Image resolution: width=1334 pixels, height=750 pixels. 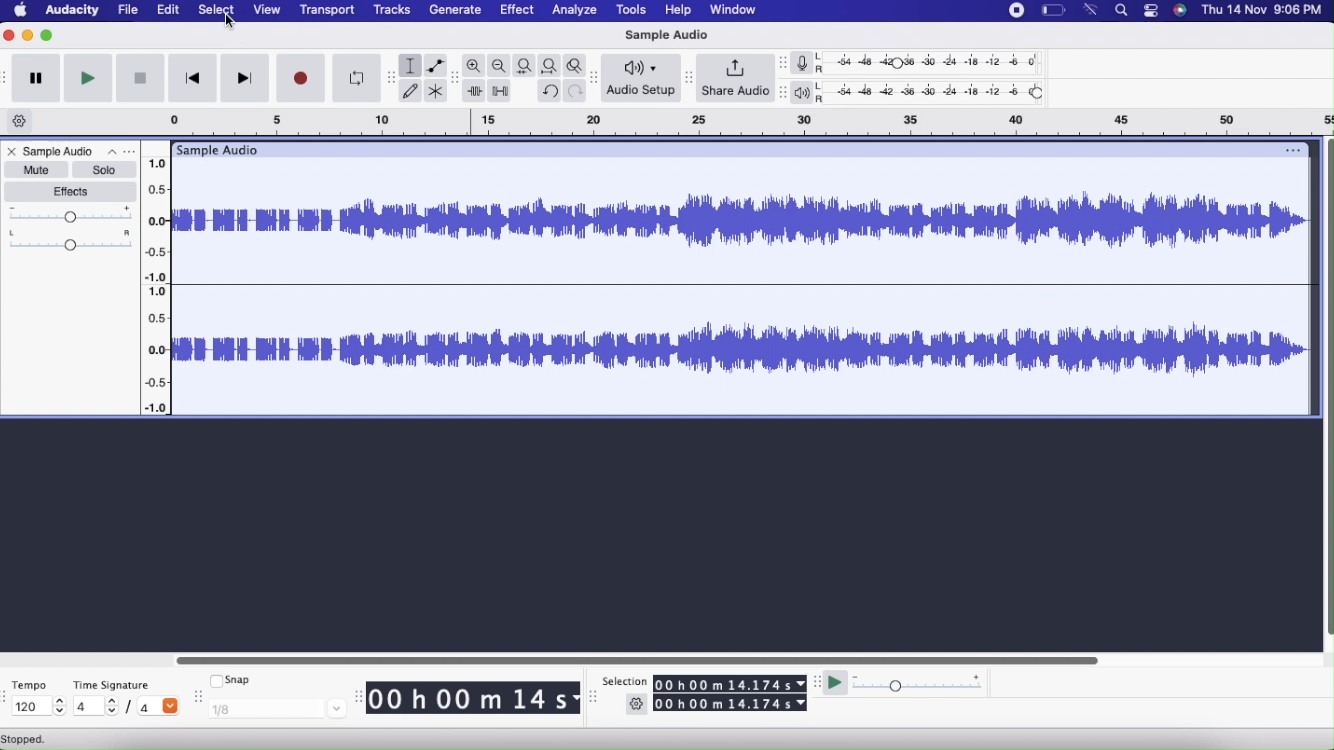 I want to click on 00 h 00 m 14.174 s, so click(x=730, y=684).